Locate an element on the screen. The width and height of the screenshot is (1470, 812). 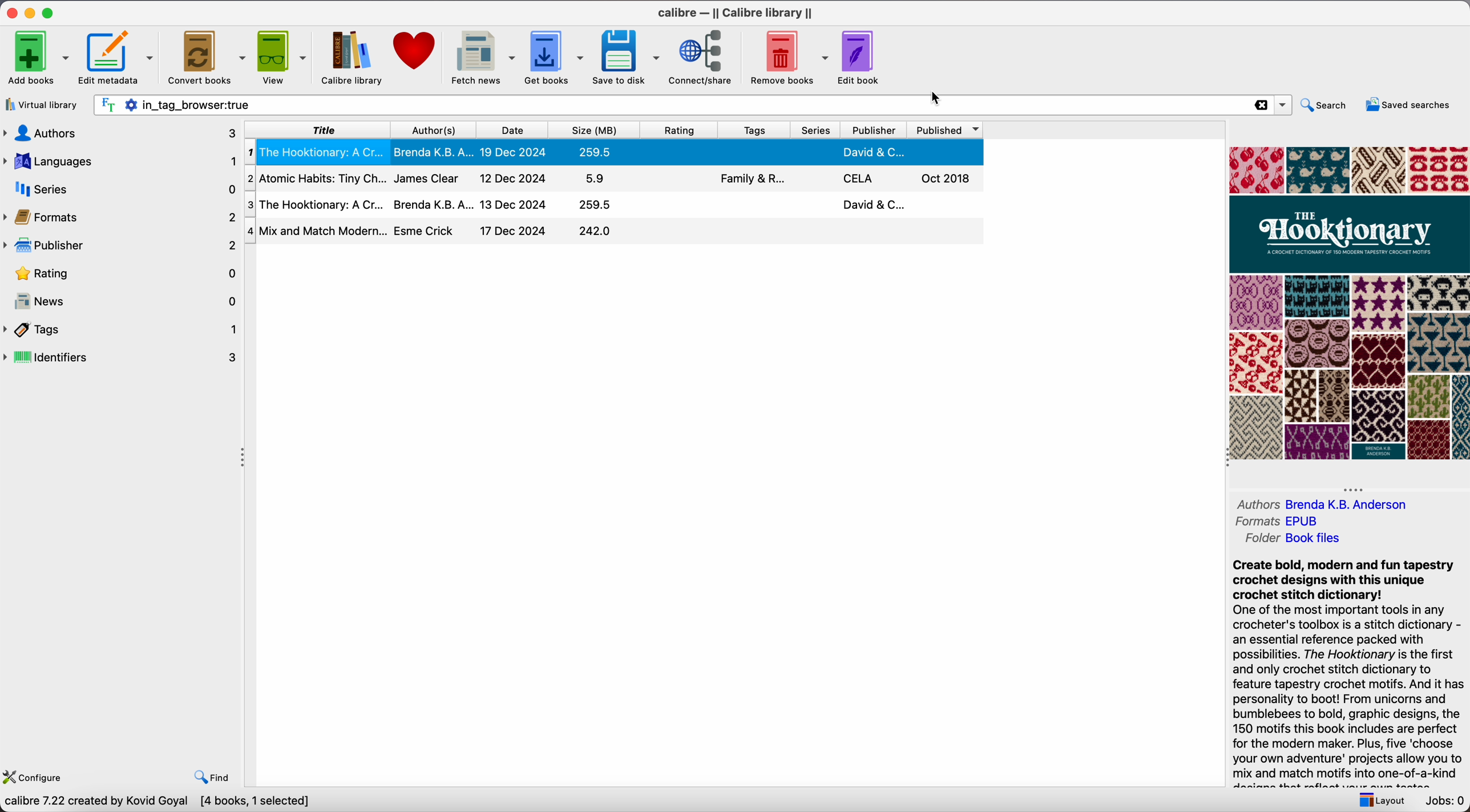
The Hooktionary: A Cr... is located at coordinates (318, 151).